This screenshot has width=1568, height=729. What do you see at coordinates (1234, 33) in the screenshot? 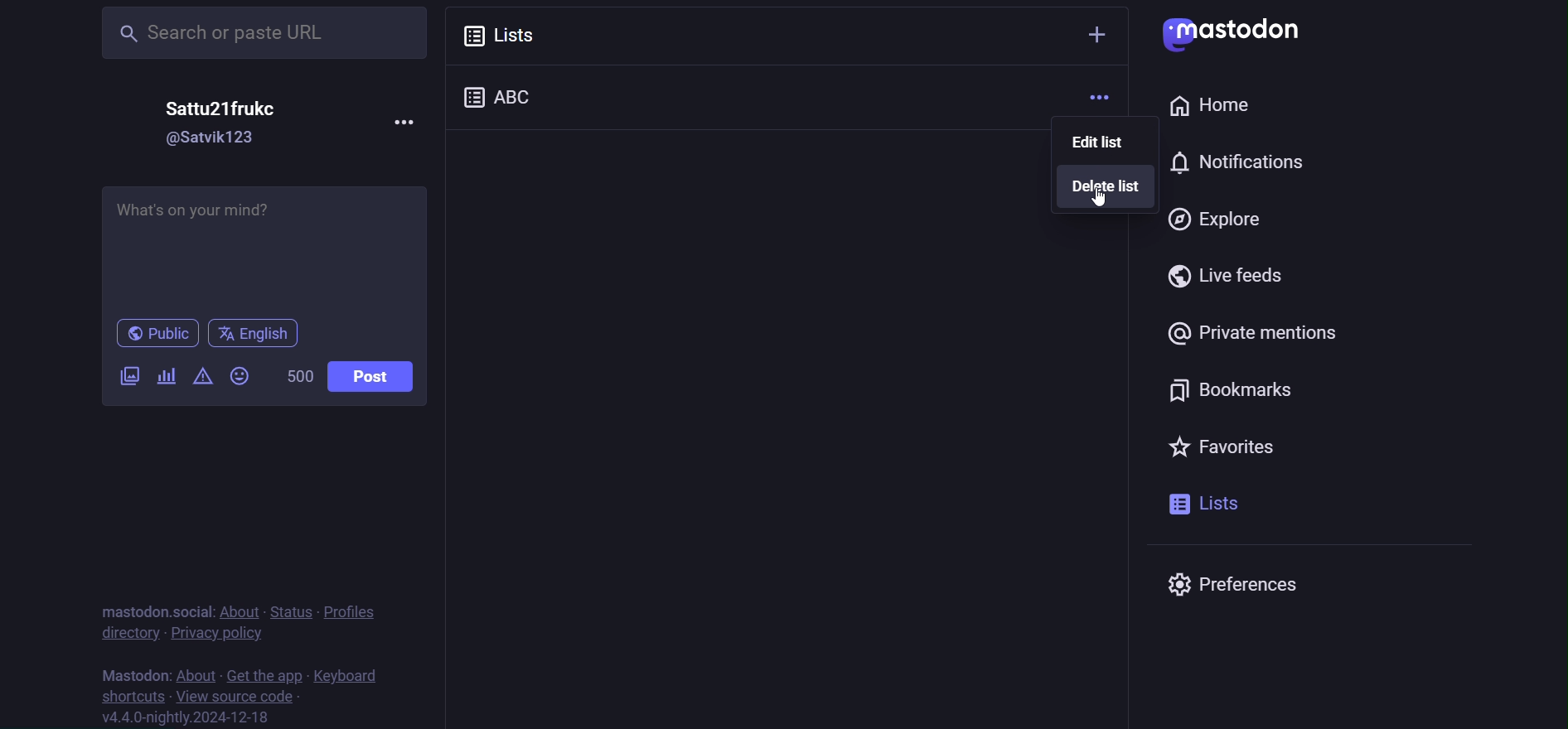
I see `logo` at bounding box center [1234, 33].